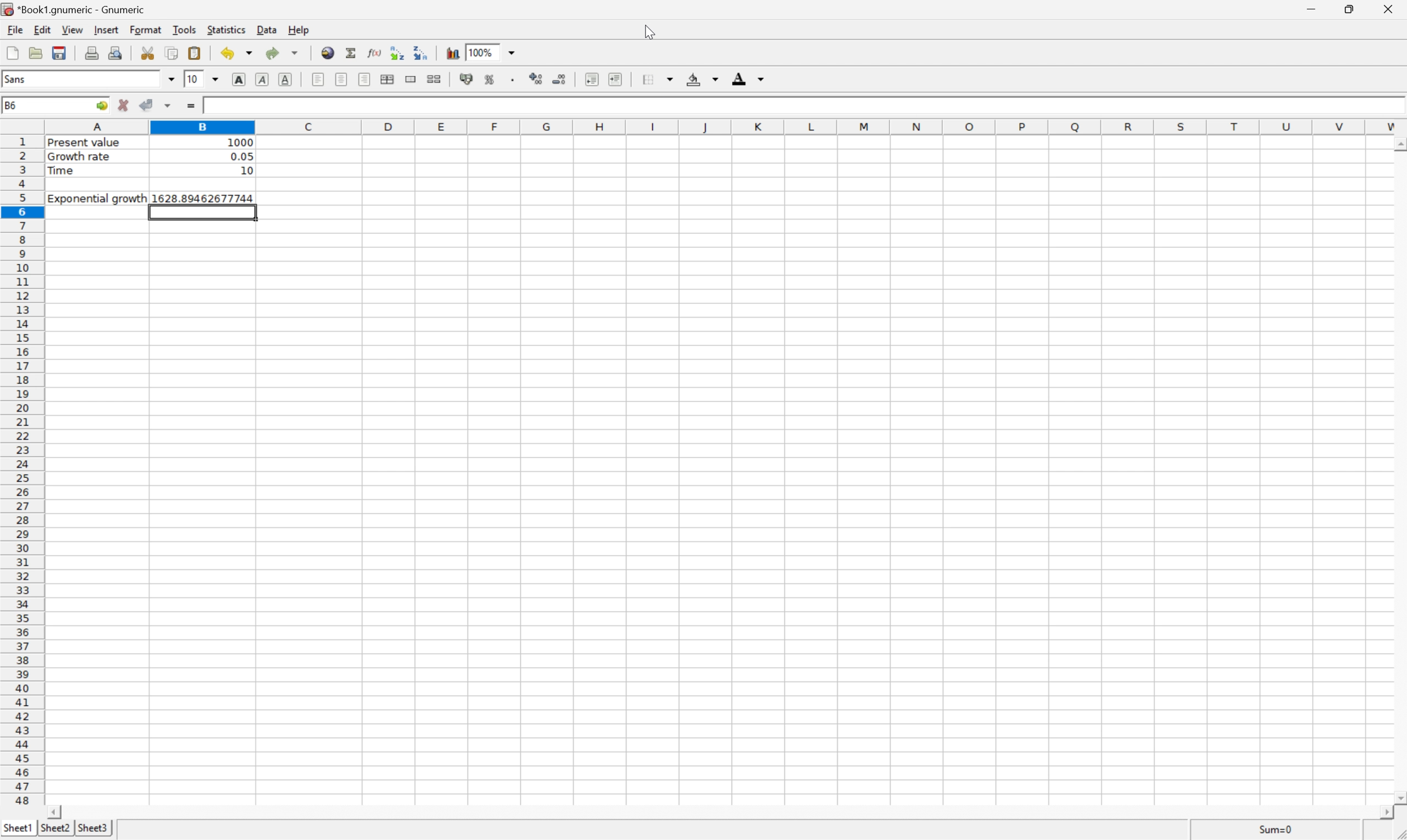  Describe the element at coordinates (1273, 829) in the screenshot. I see `Sum=0` at that location.